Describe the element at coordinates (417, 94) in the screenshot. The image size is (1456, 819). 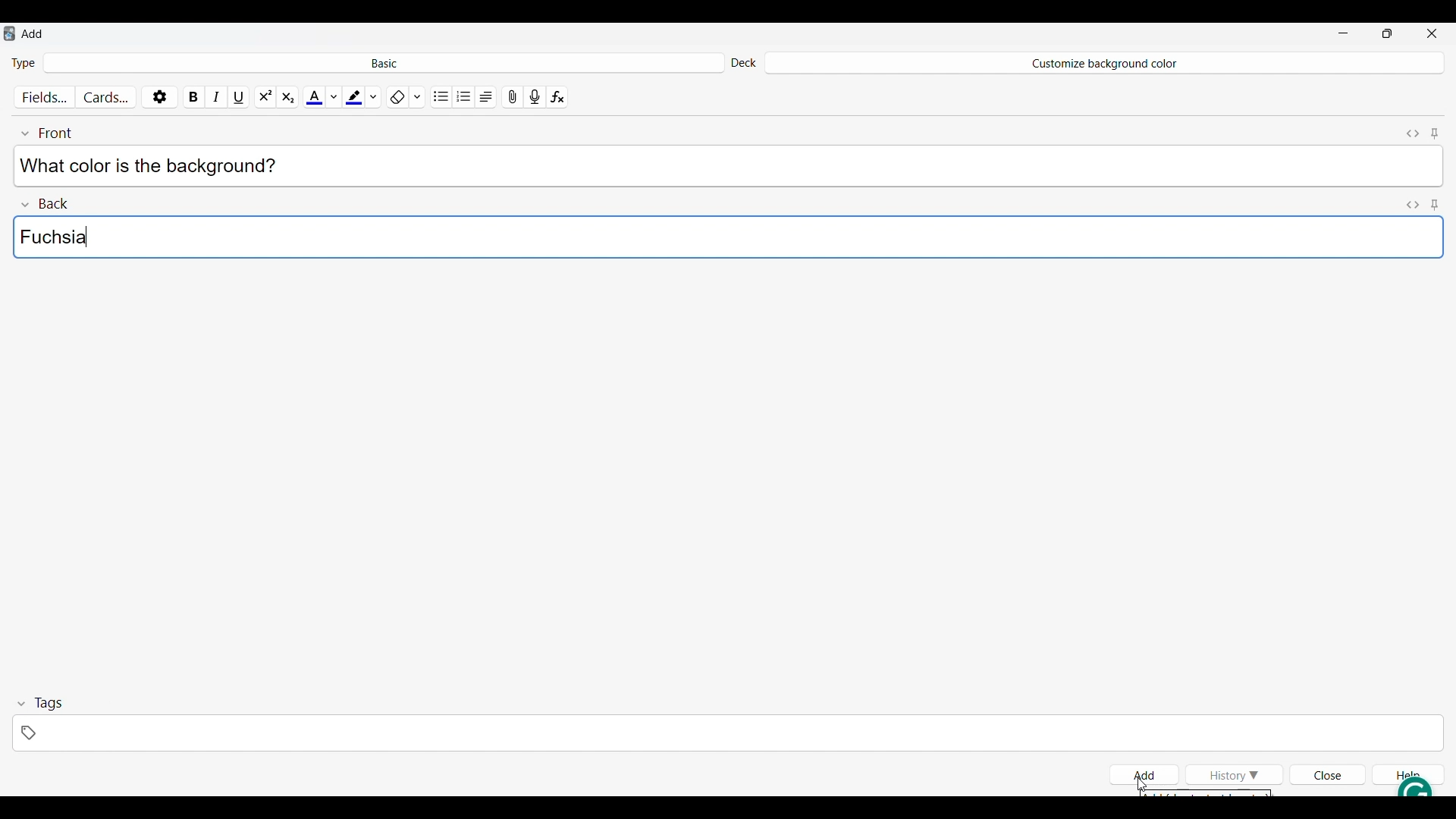
I see `Formatting options` at that location.